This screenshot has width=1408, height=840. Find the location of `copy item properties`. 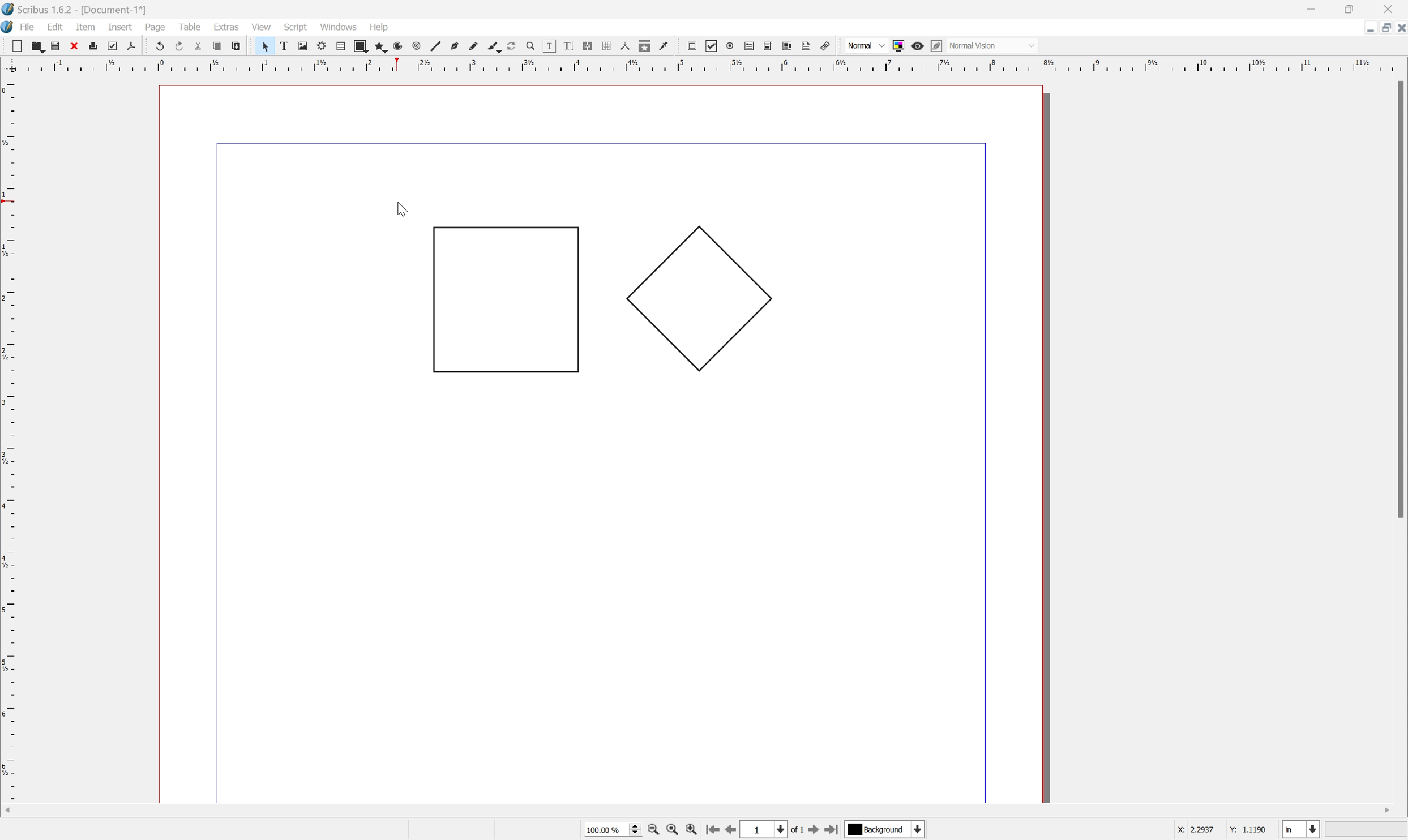

copy item properties is located at coordinates (643, 44).